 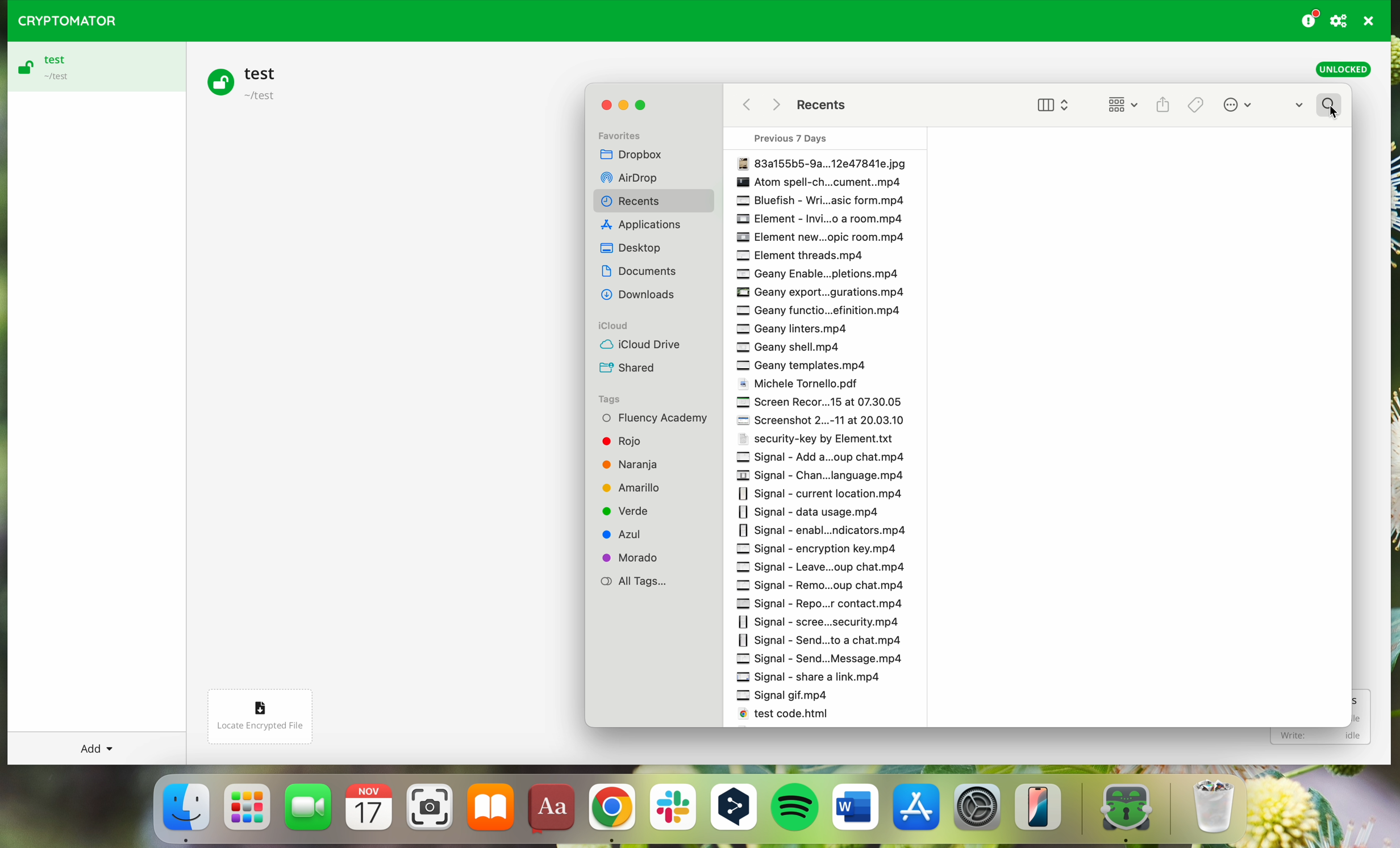 What do you see at coordinates (1051, 110) in the screenshot?
I see `view options` at bounding box center [1051, 110].